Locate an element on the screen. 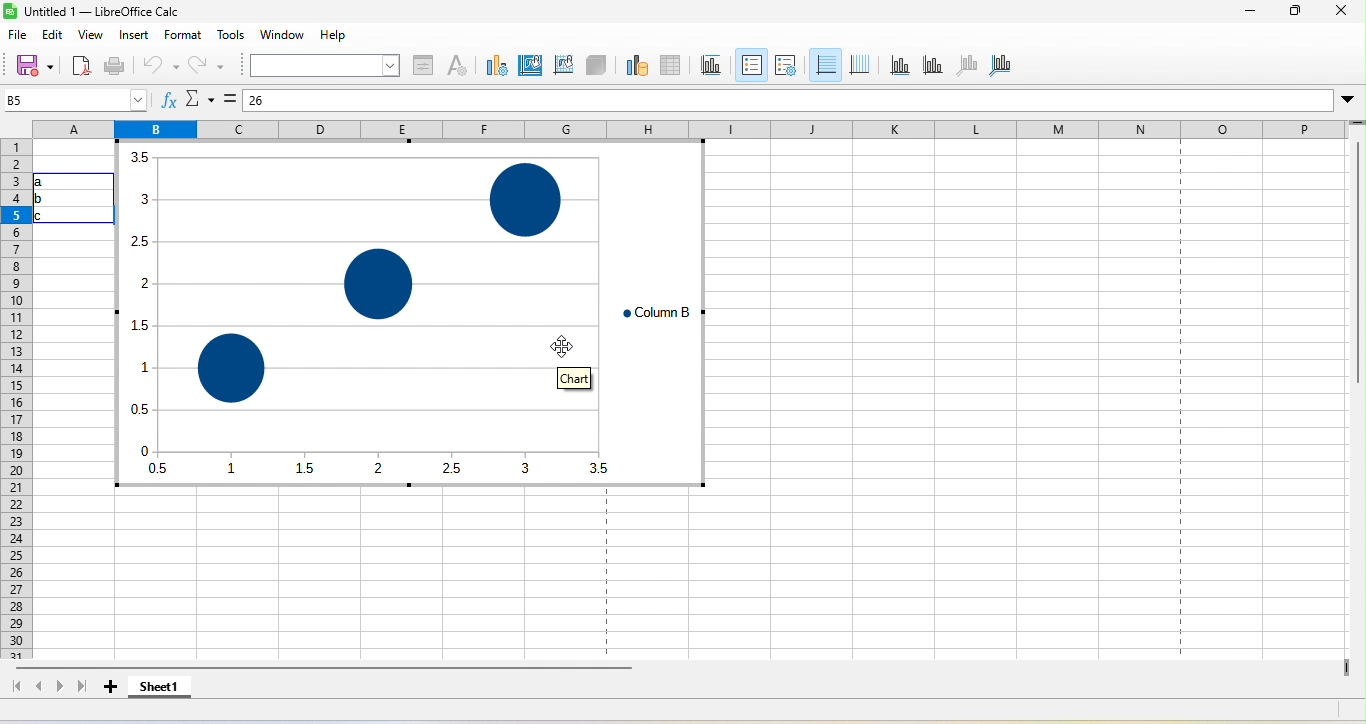  tools is located at coordinates (232, 36).